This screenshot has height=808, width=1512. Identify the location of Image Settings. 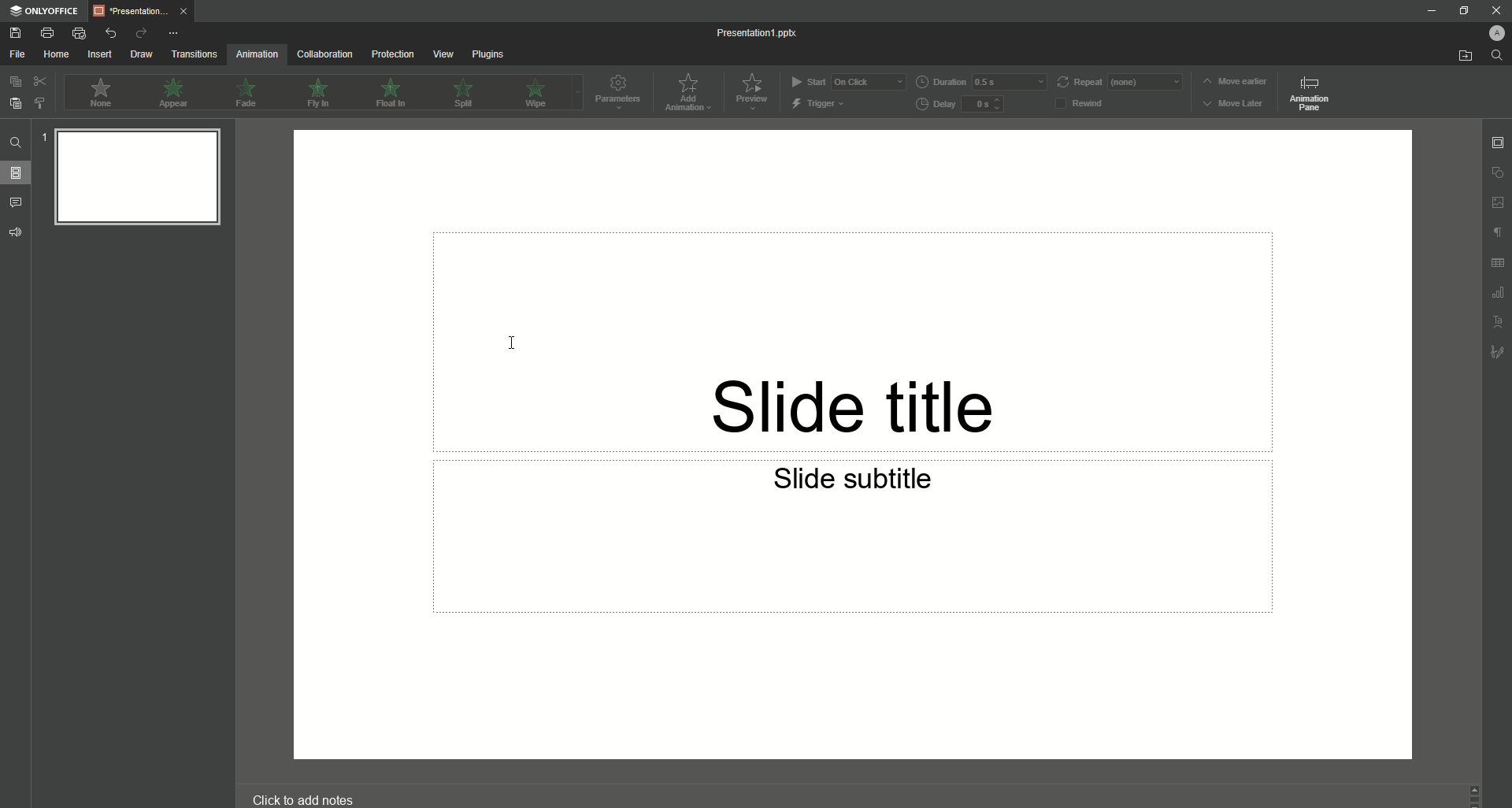
(1496, 204).